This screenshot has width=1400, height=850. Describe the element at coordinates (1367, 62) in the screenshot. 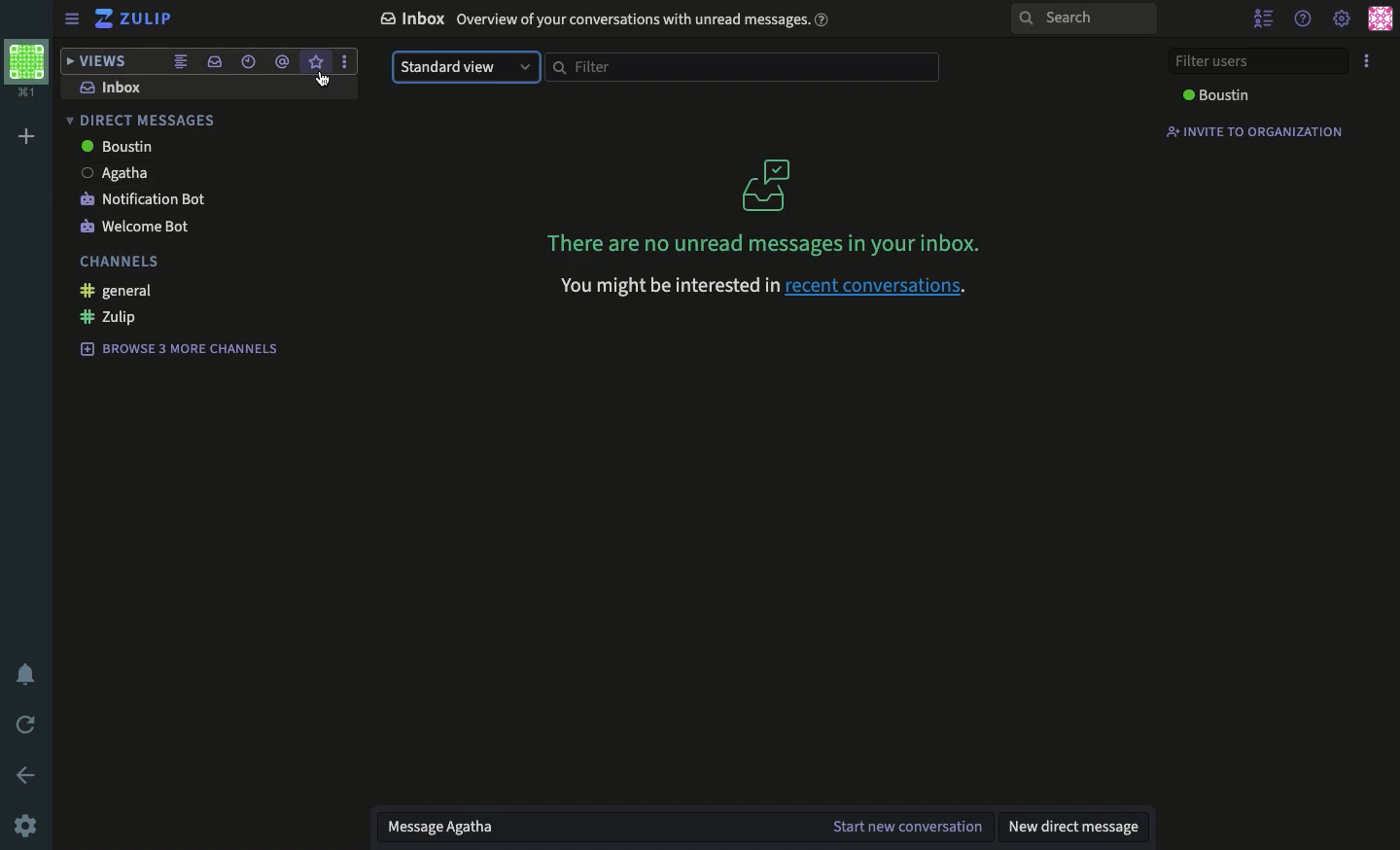

I see `options` at that location.